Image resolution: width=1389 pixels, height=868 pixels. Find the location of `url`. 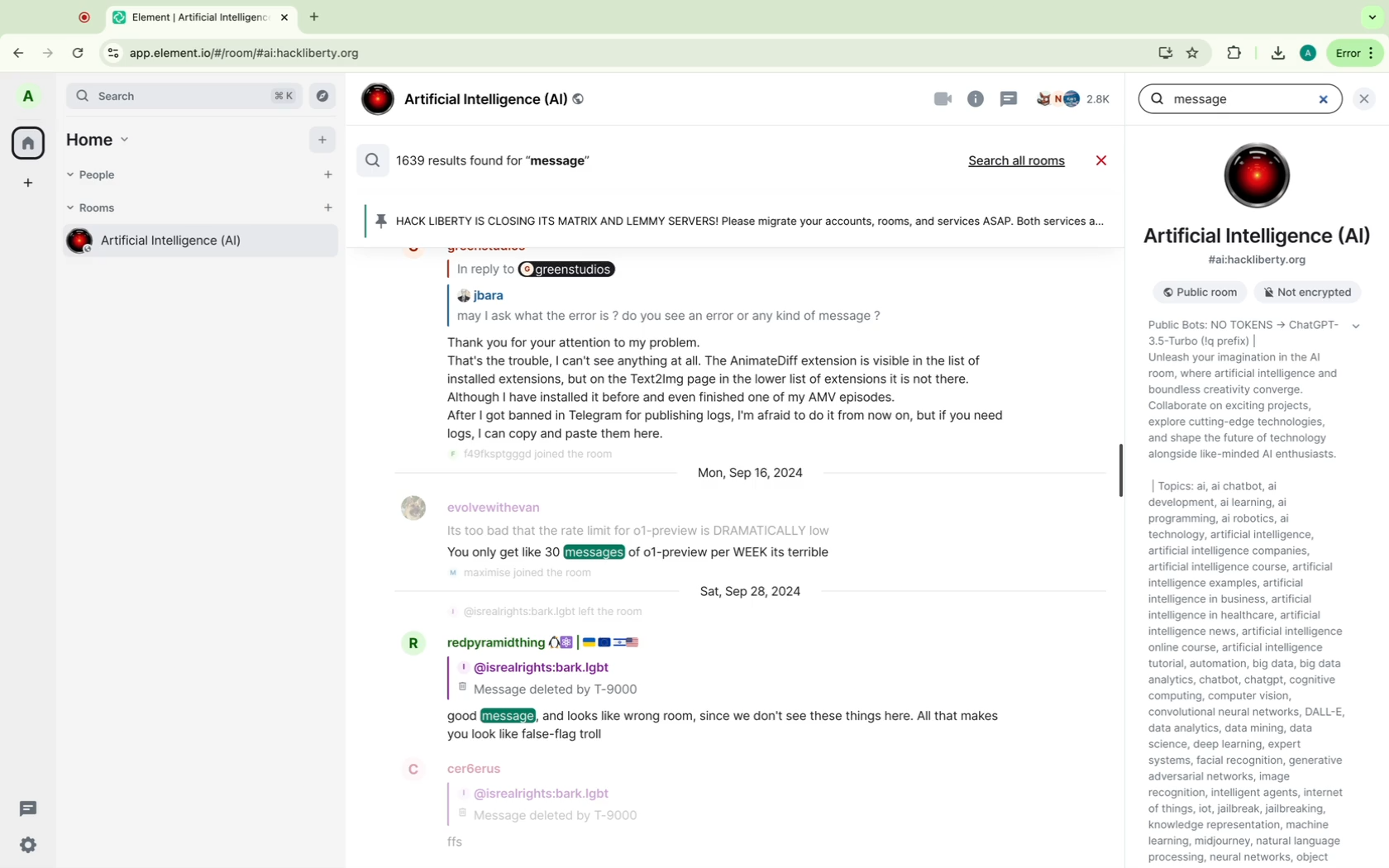

url is located at coordinates (1260, 261).